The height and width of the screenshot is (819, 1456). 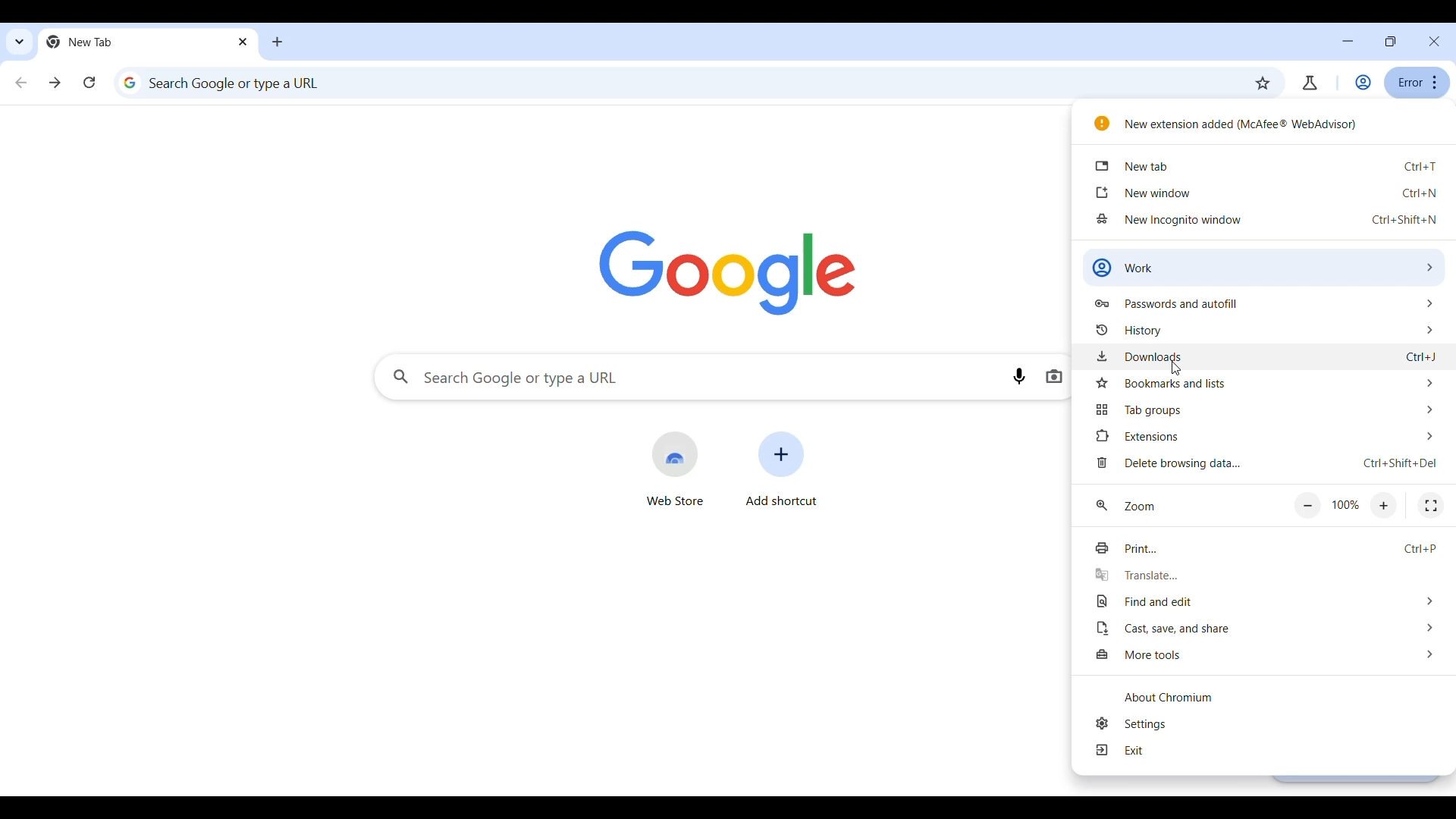 I want to click on Account, so click(x=1362, y=83).